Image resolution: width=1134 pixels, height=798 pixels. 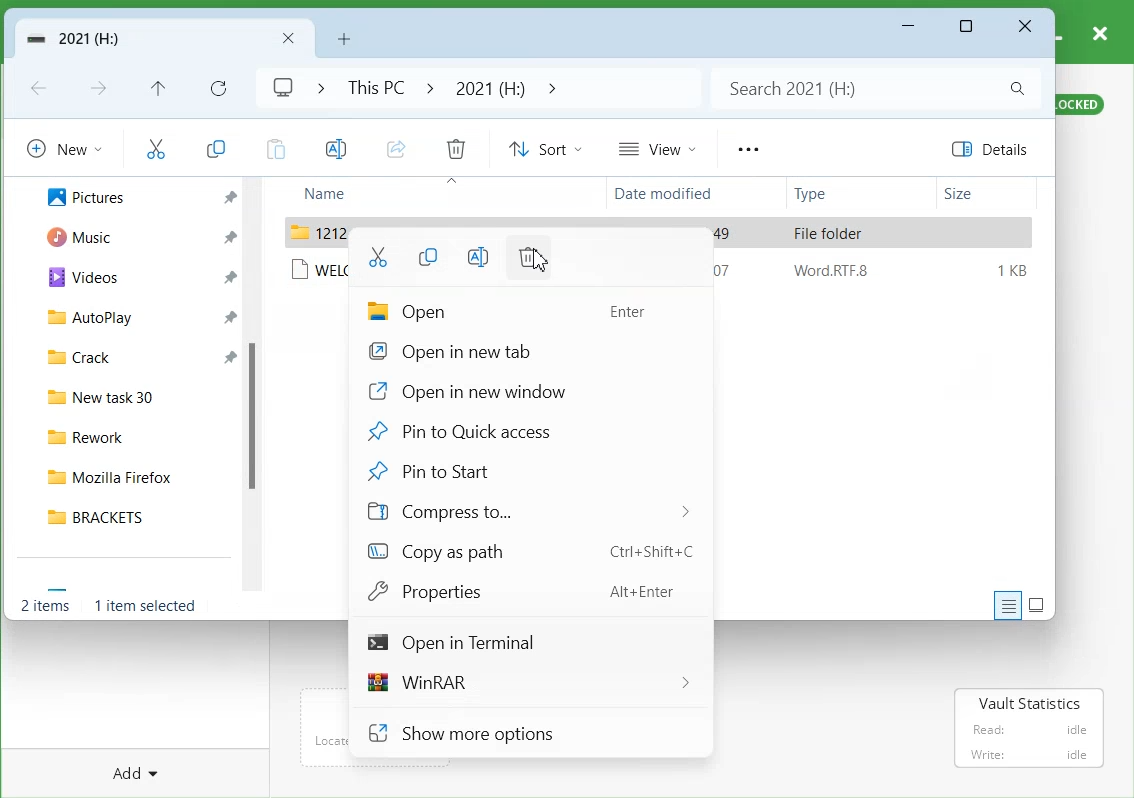 I want to click on Copy as path, so click(x=526, y=550).